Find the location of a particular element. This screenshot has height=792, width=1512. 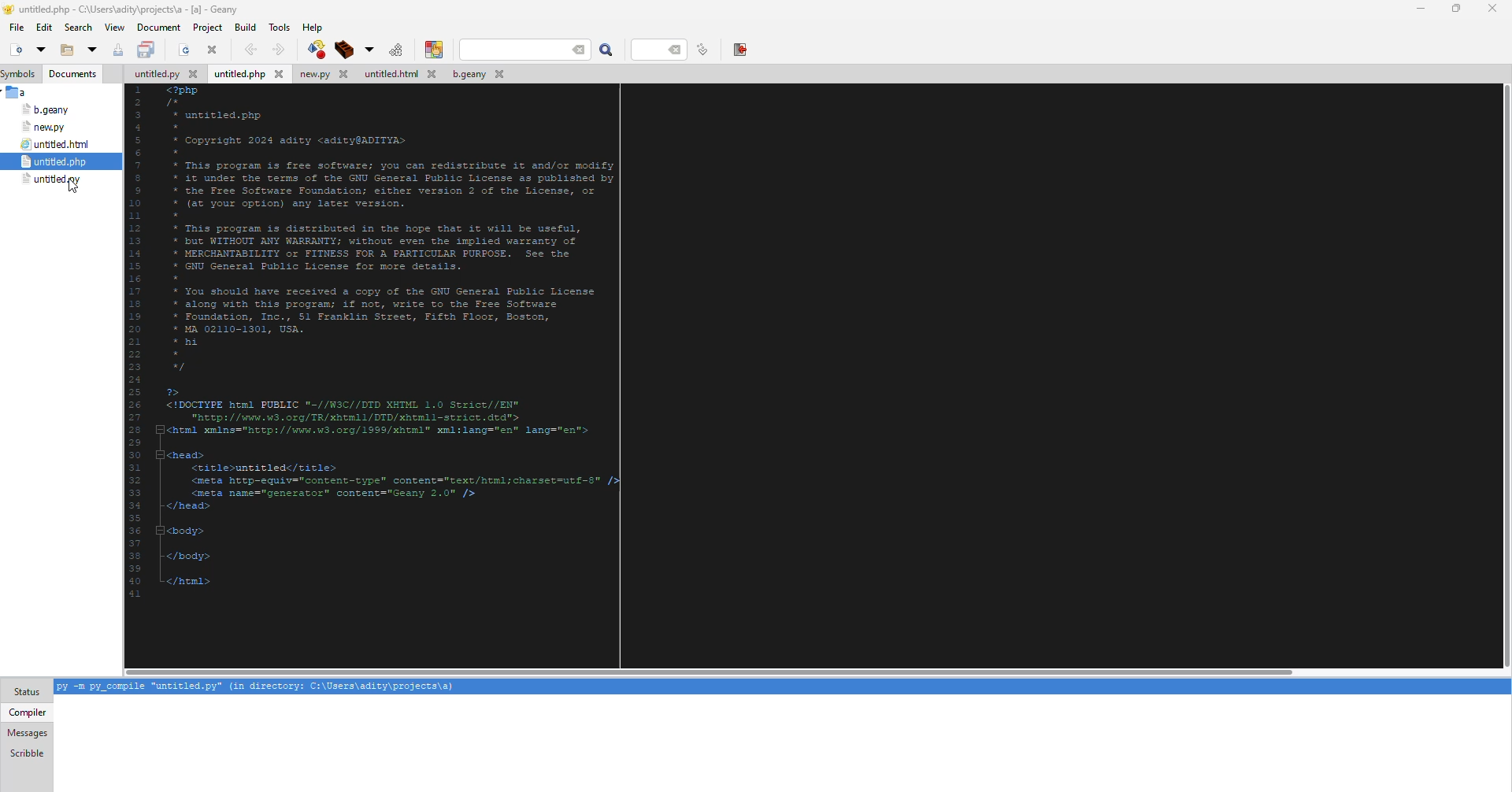

untitled.html is located at coordinates (402, 74).